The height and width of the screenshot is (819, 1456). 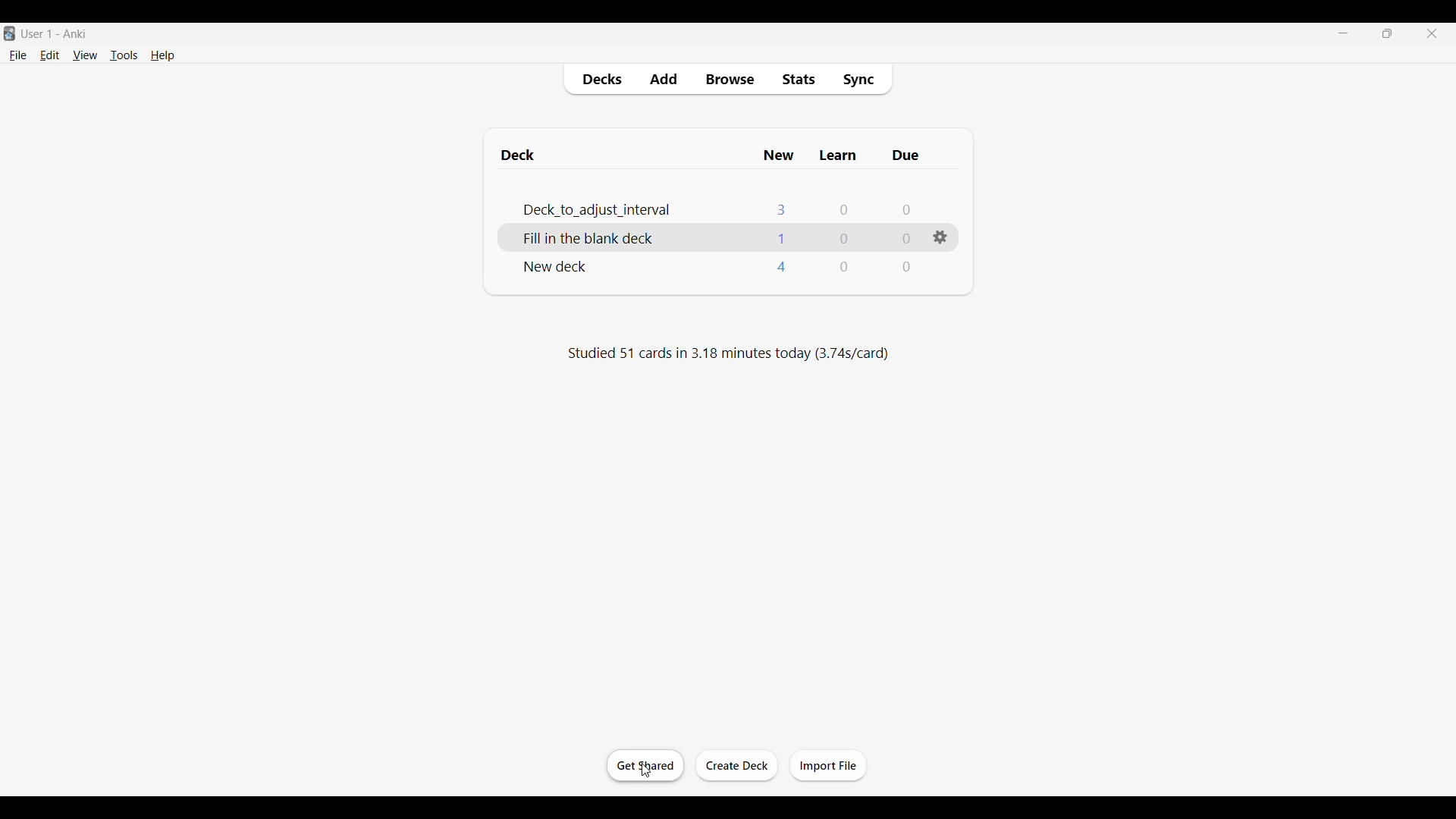 What do you see at coordinates (861, 79) in the screenshot?
I see `Sync` at bounding box center [861, 79].